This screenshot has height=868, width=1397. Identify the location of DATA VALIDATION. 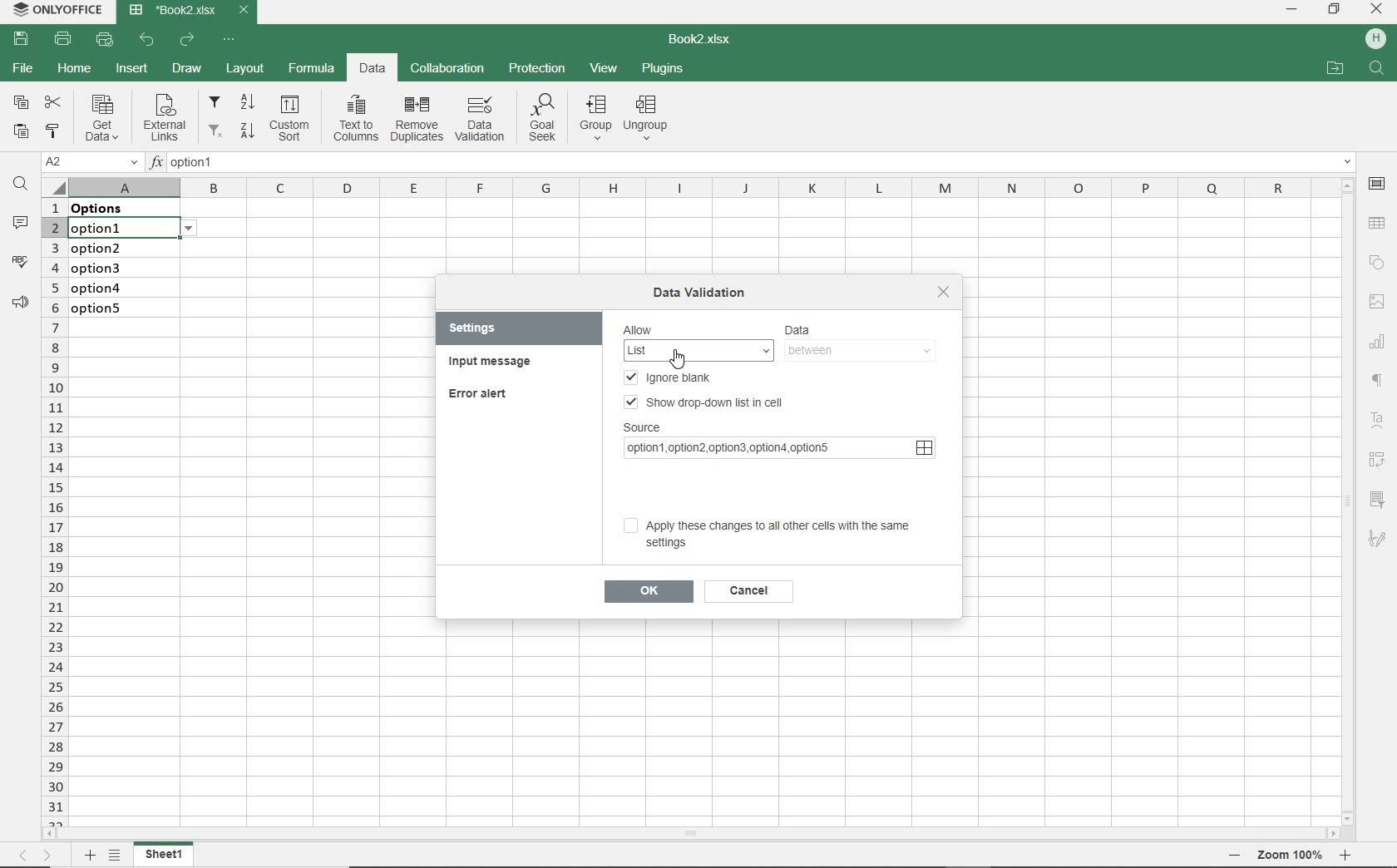
(705, 291).